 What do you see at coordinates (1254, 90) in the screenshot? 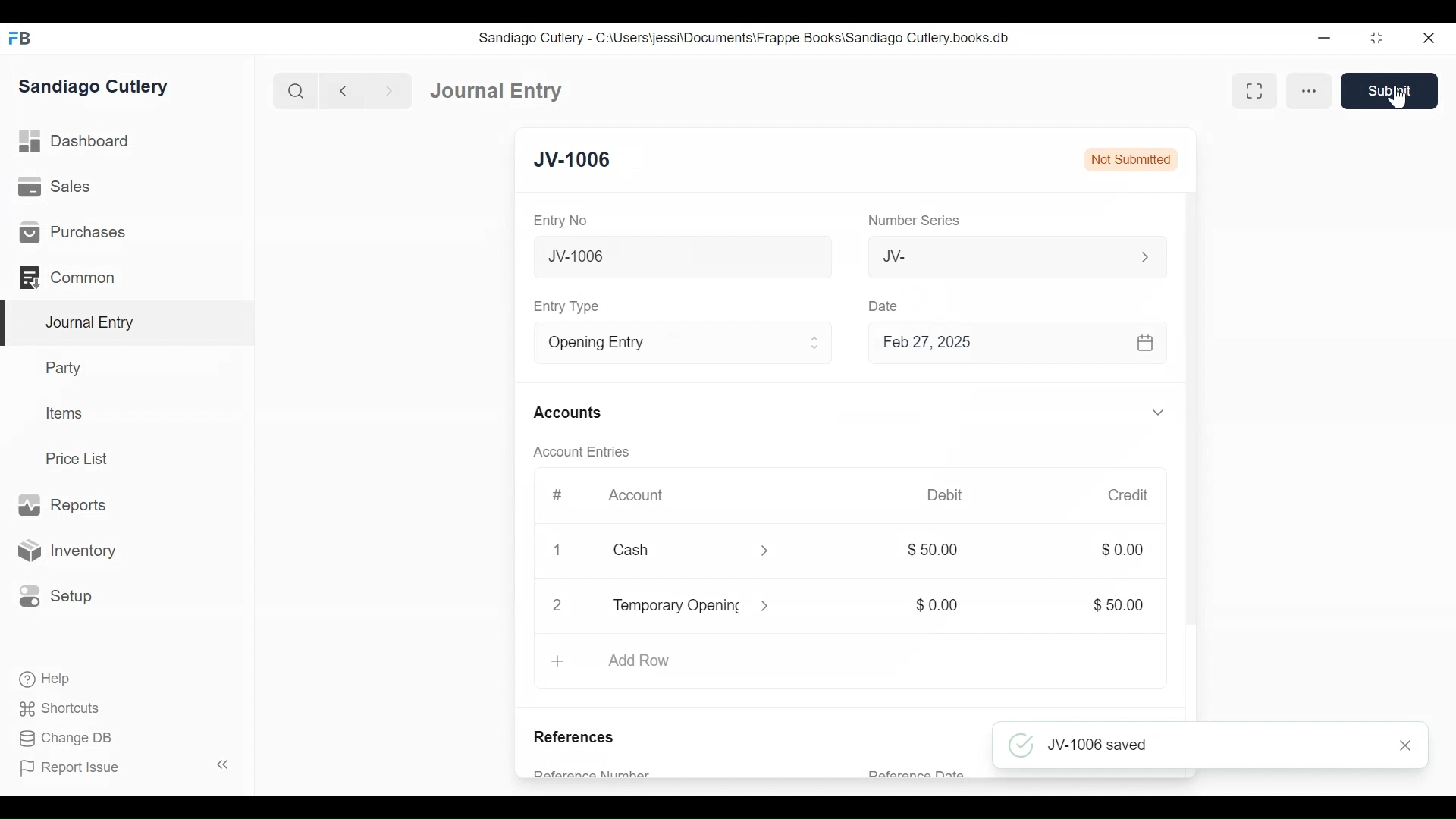
I see `Toggle between form and full width` at bounding box center [1254, 90].